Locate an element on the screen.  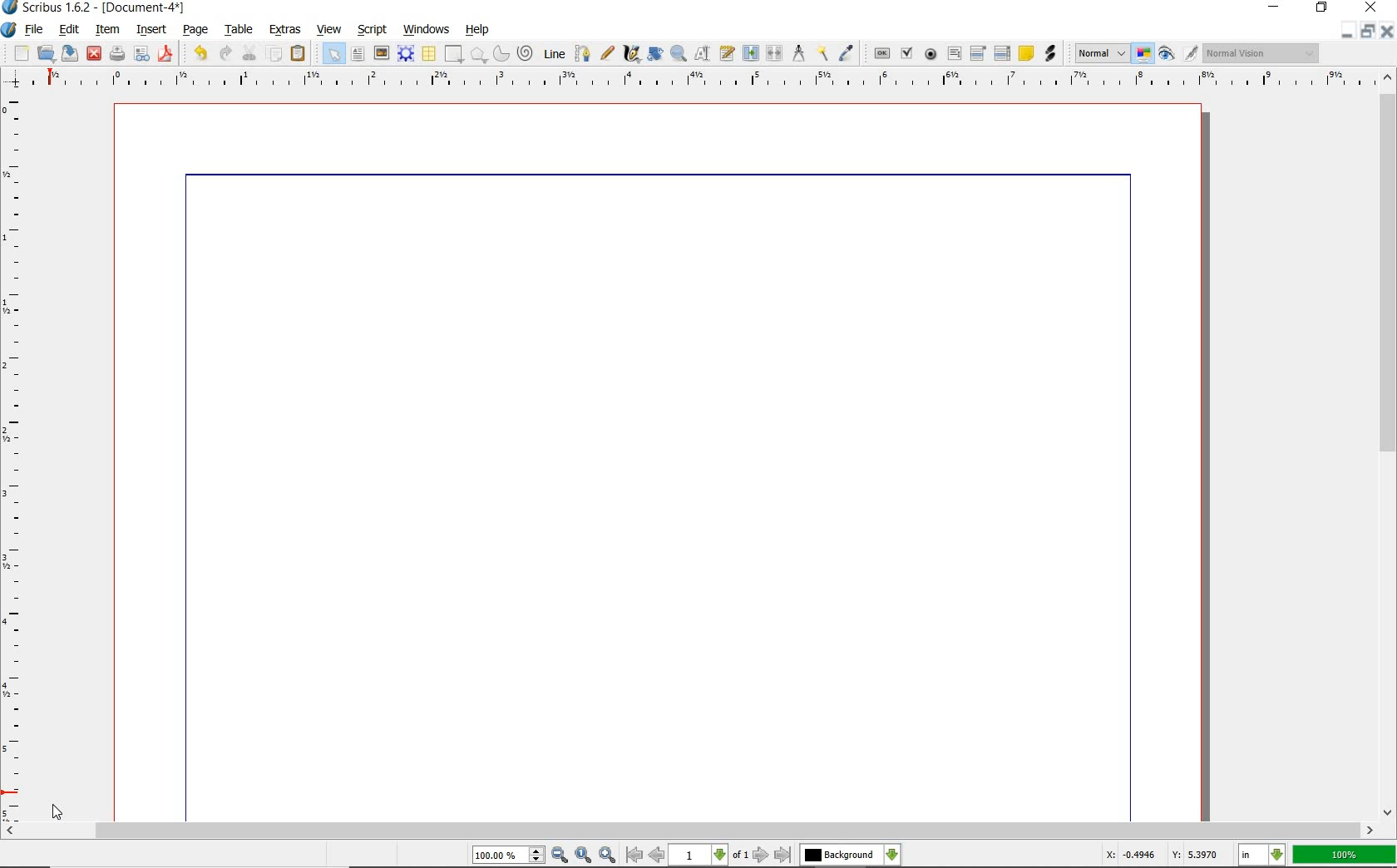
copy item properties is located at coordinates (824, 52).